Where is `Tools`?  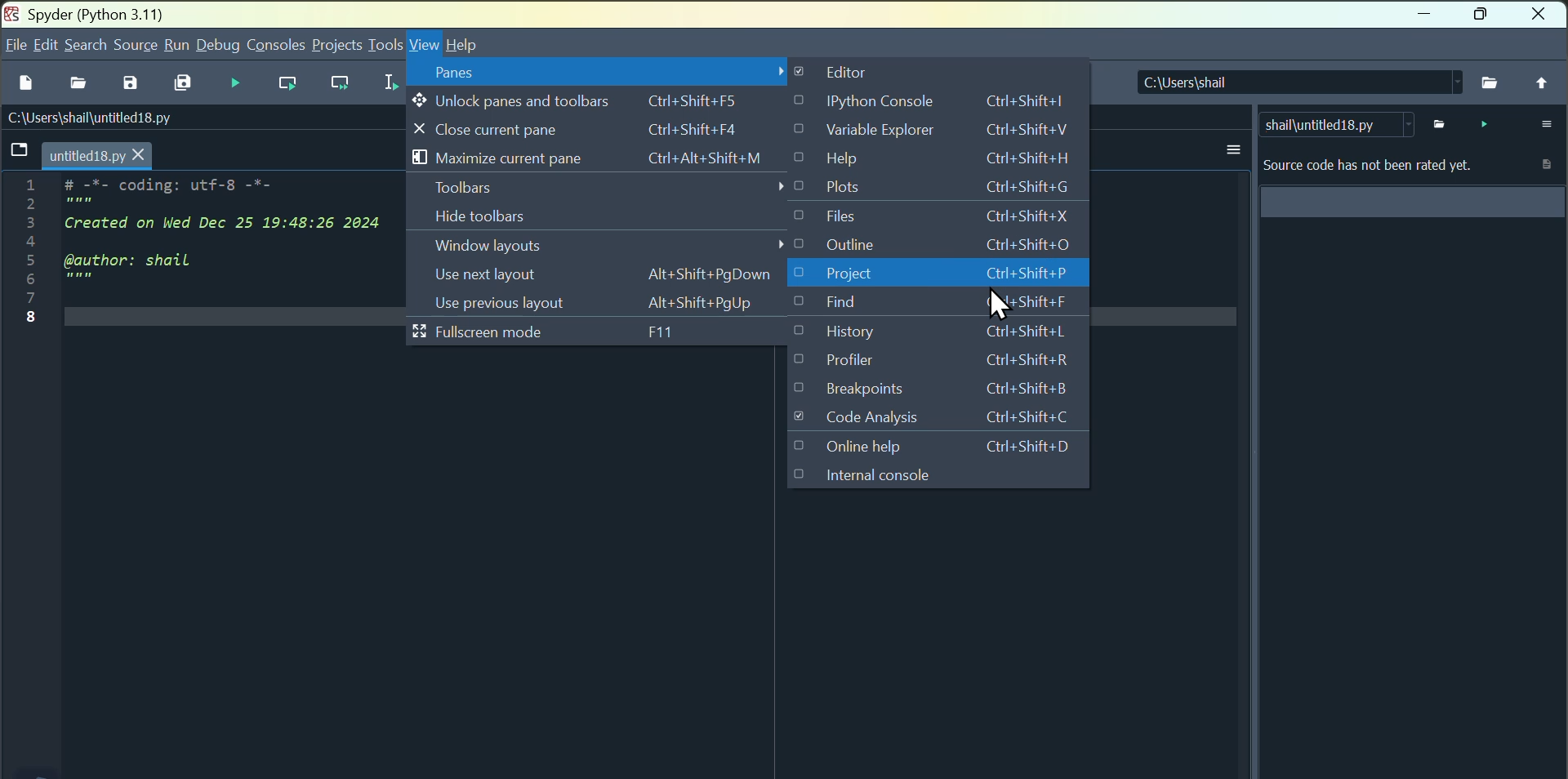
Tools is located at coordinates (386, 42).